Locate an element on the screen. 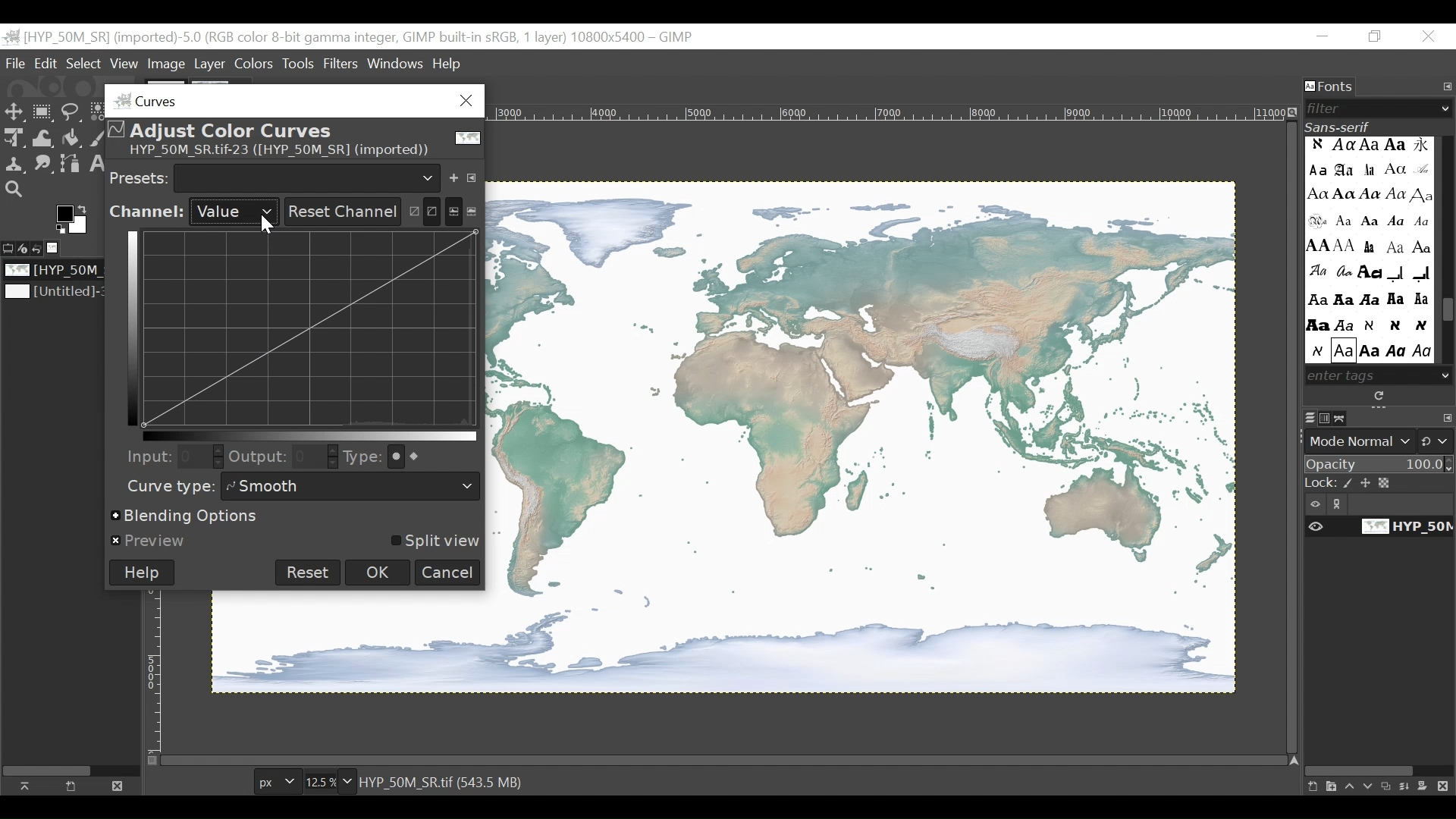 The width and height of the screenshot is (1456, 819). Opacity is located at coordinates (1379, 466).